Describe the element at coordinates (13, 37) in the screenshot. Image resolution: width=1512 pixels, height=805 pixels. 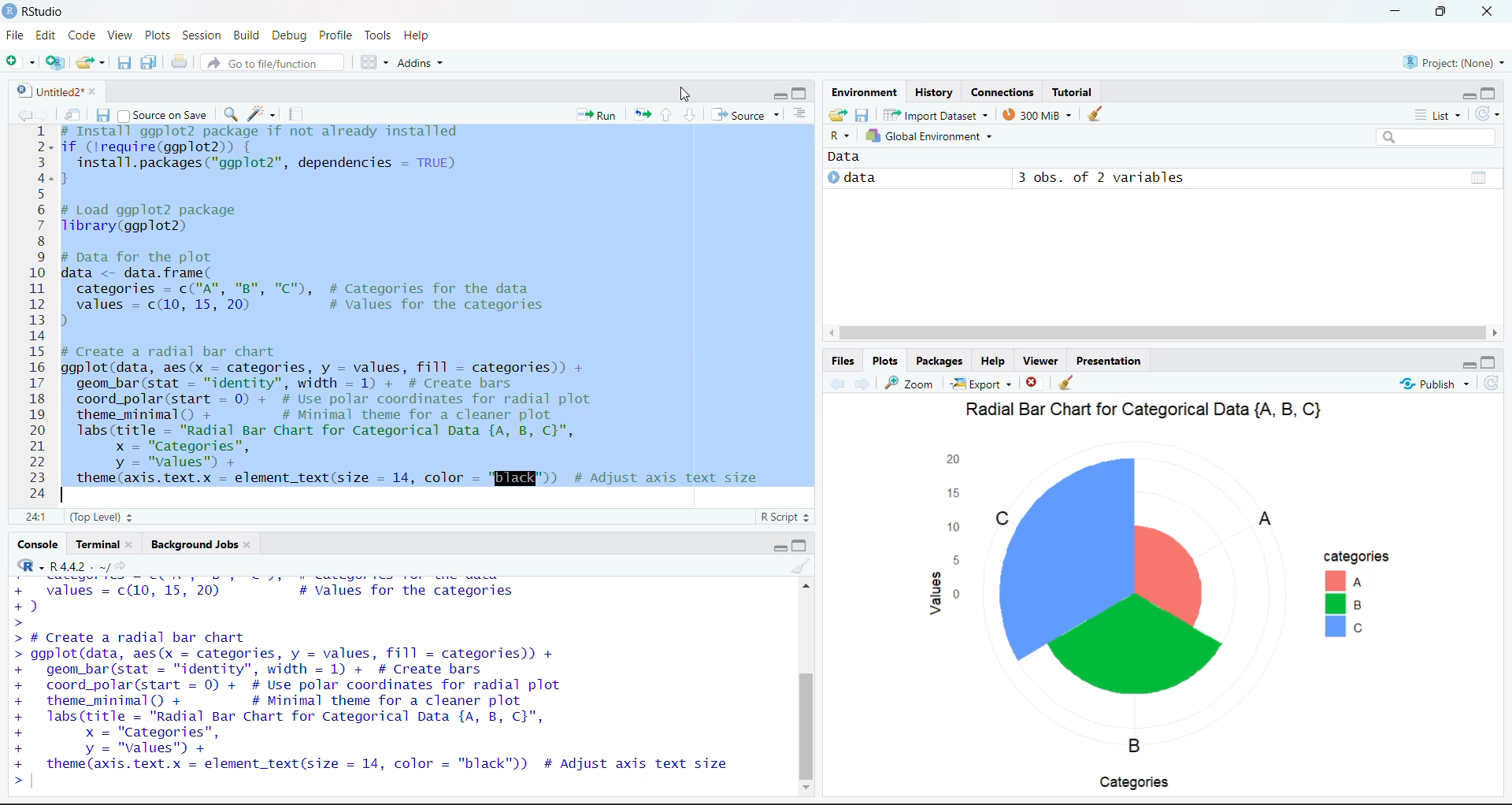
I see `File` at that location.